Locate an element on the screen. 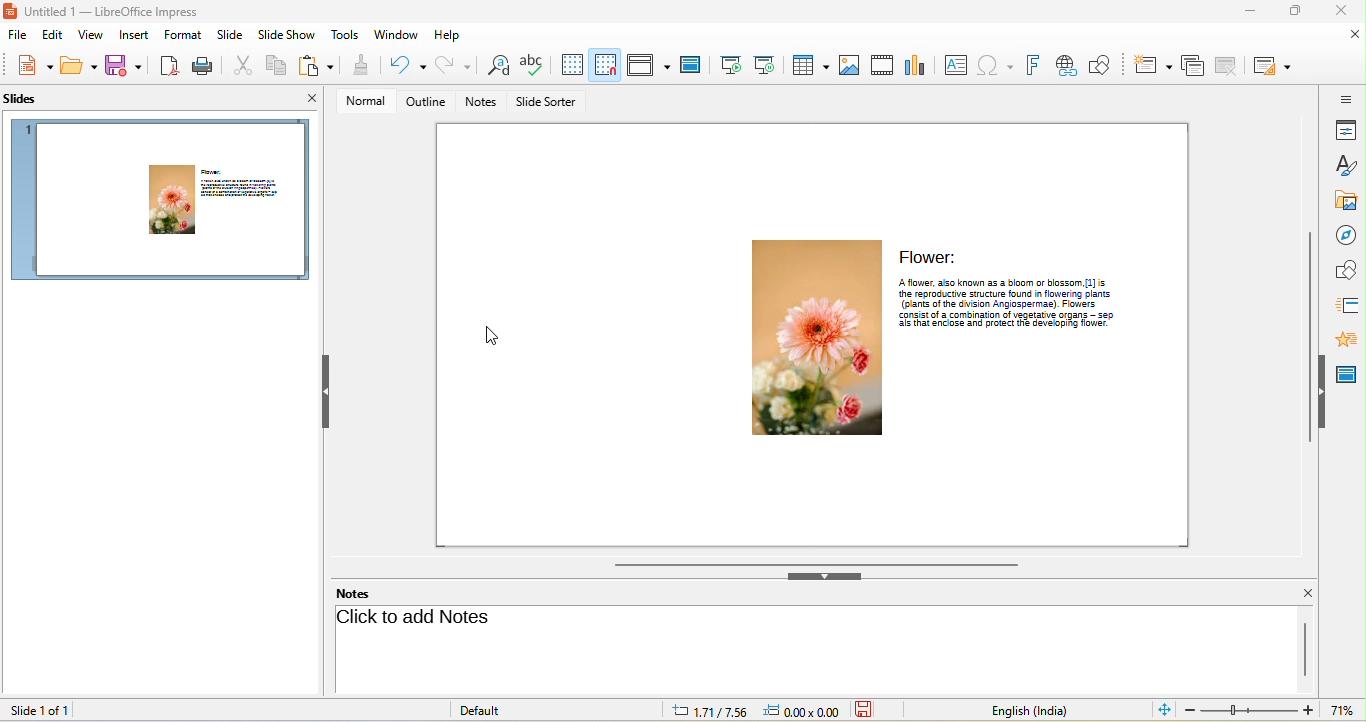  outline is located at coordinates (425, 102).